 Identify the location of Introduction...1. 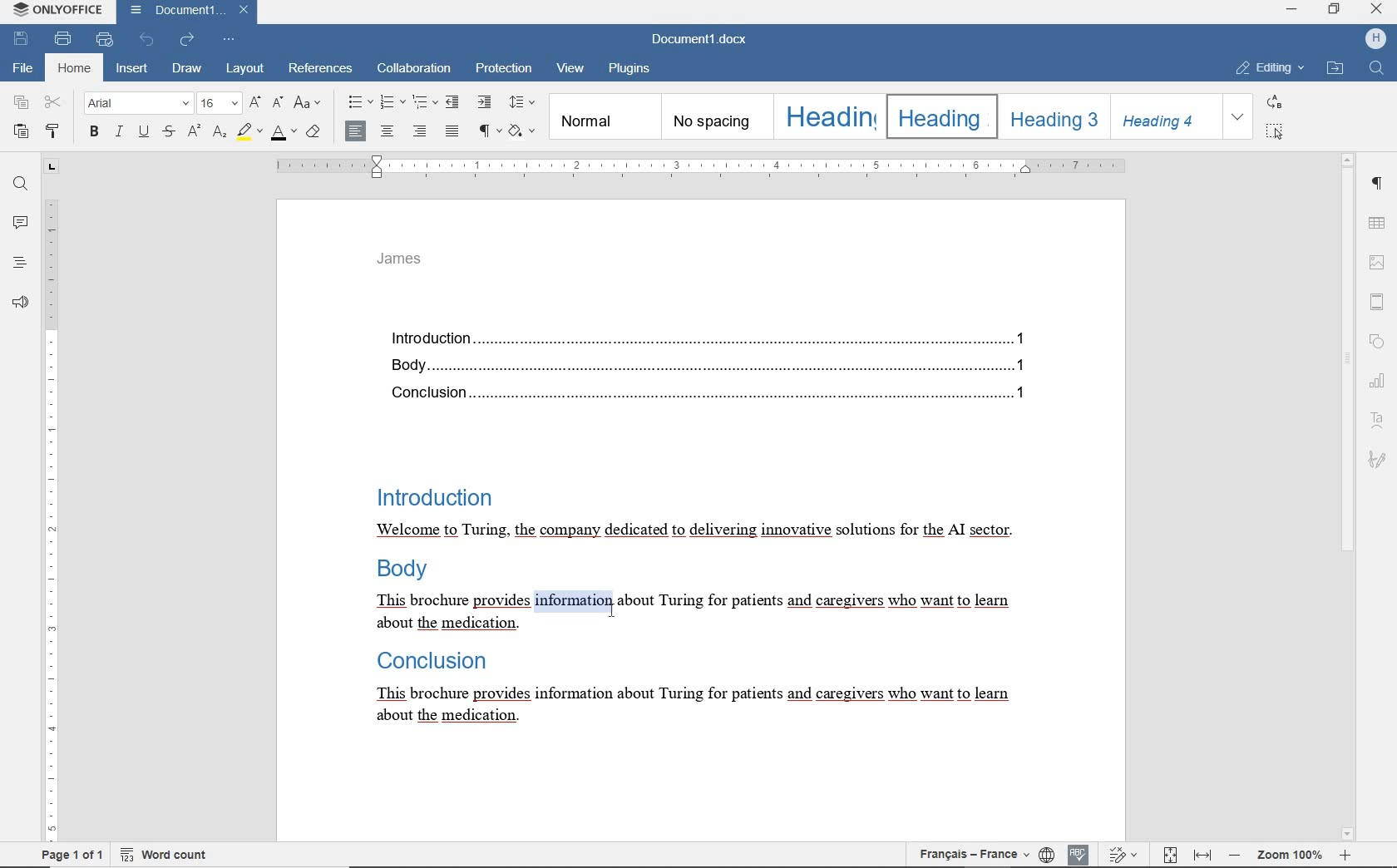
(703, 335).